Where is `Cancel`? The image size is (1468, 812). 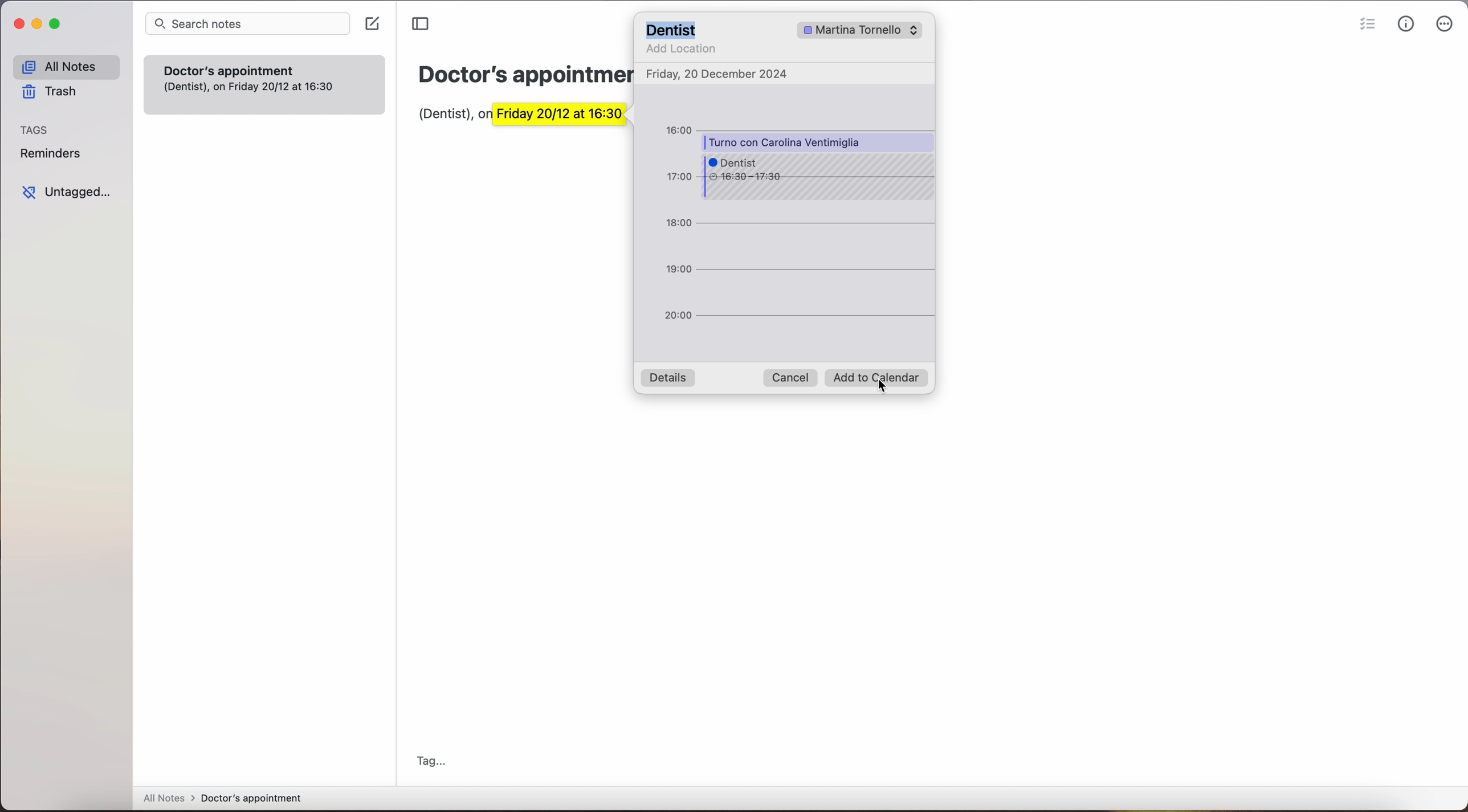
Cancel is located at coordinates (791, 377).